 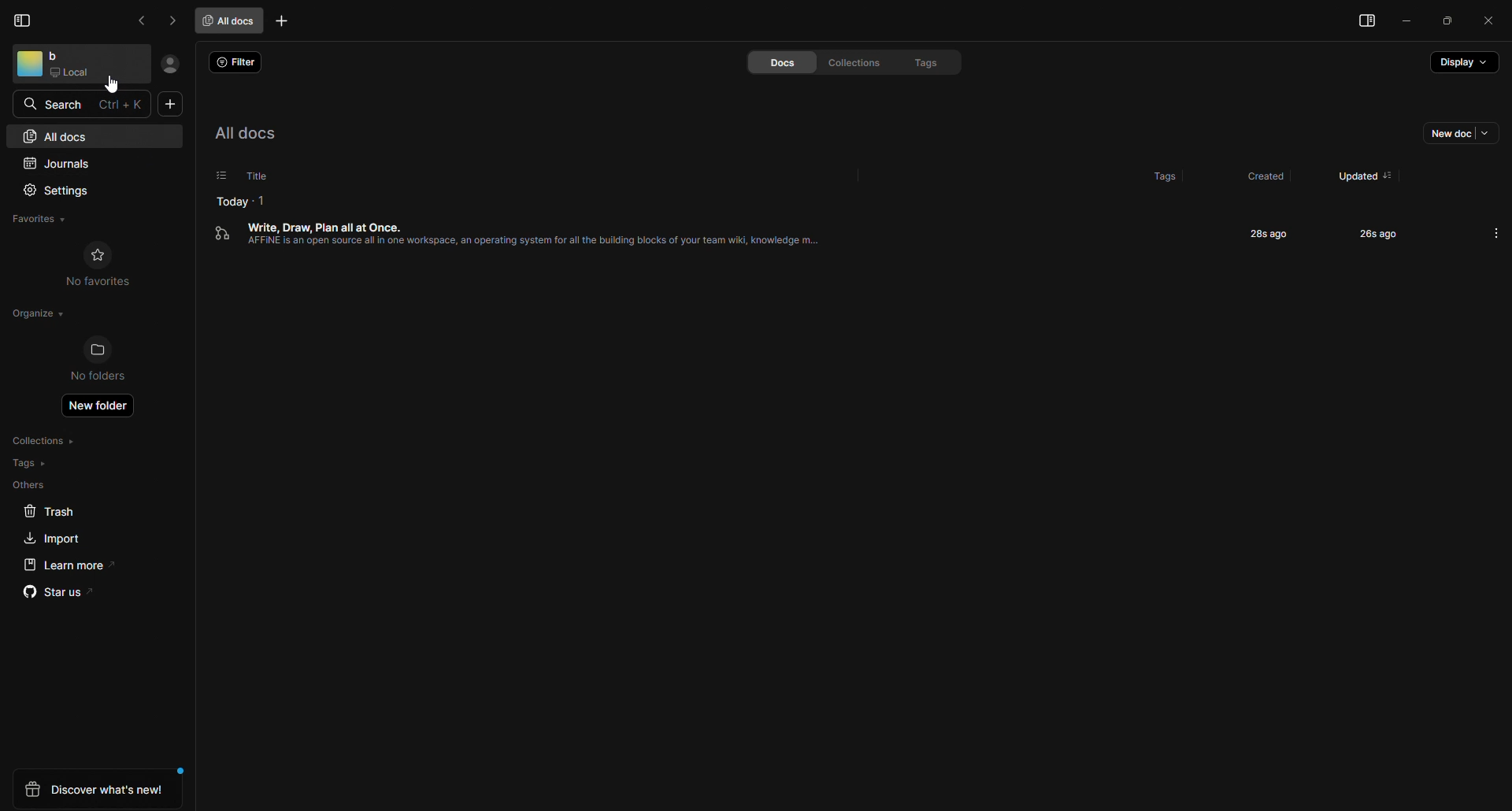 I want to click on others, so click(x=30, y=485).